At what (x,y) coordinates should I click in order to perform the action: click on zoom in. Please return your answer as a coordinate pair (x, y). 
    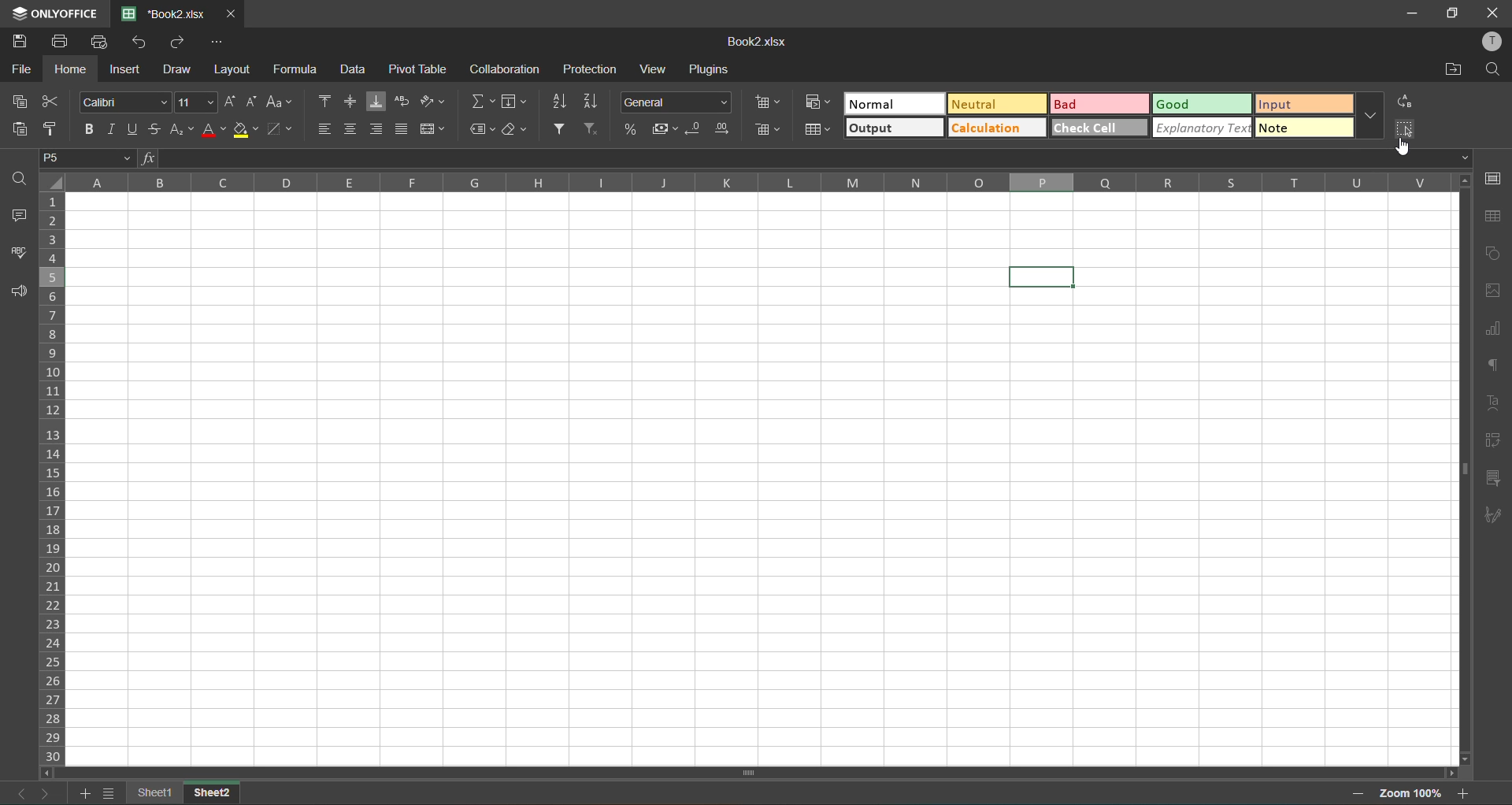
    Looking at the image, I should click on (1464, 793).